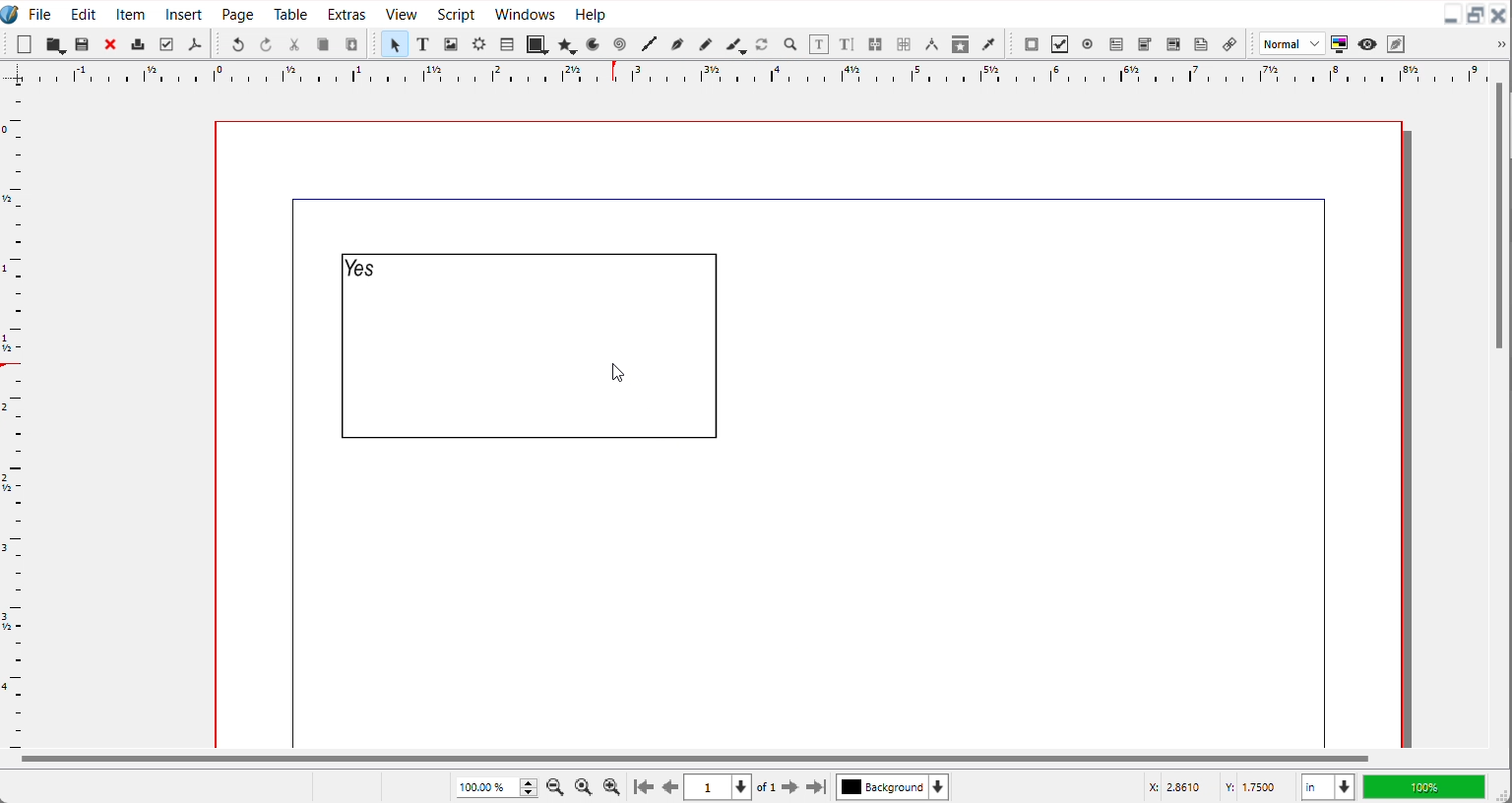 This screenshot has height=803, width=1512. Describe the element at coordinates (1115, 45) in the screenshot. I see `PDF text field` at that location.